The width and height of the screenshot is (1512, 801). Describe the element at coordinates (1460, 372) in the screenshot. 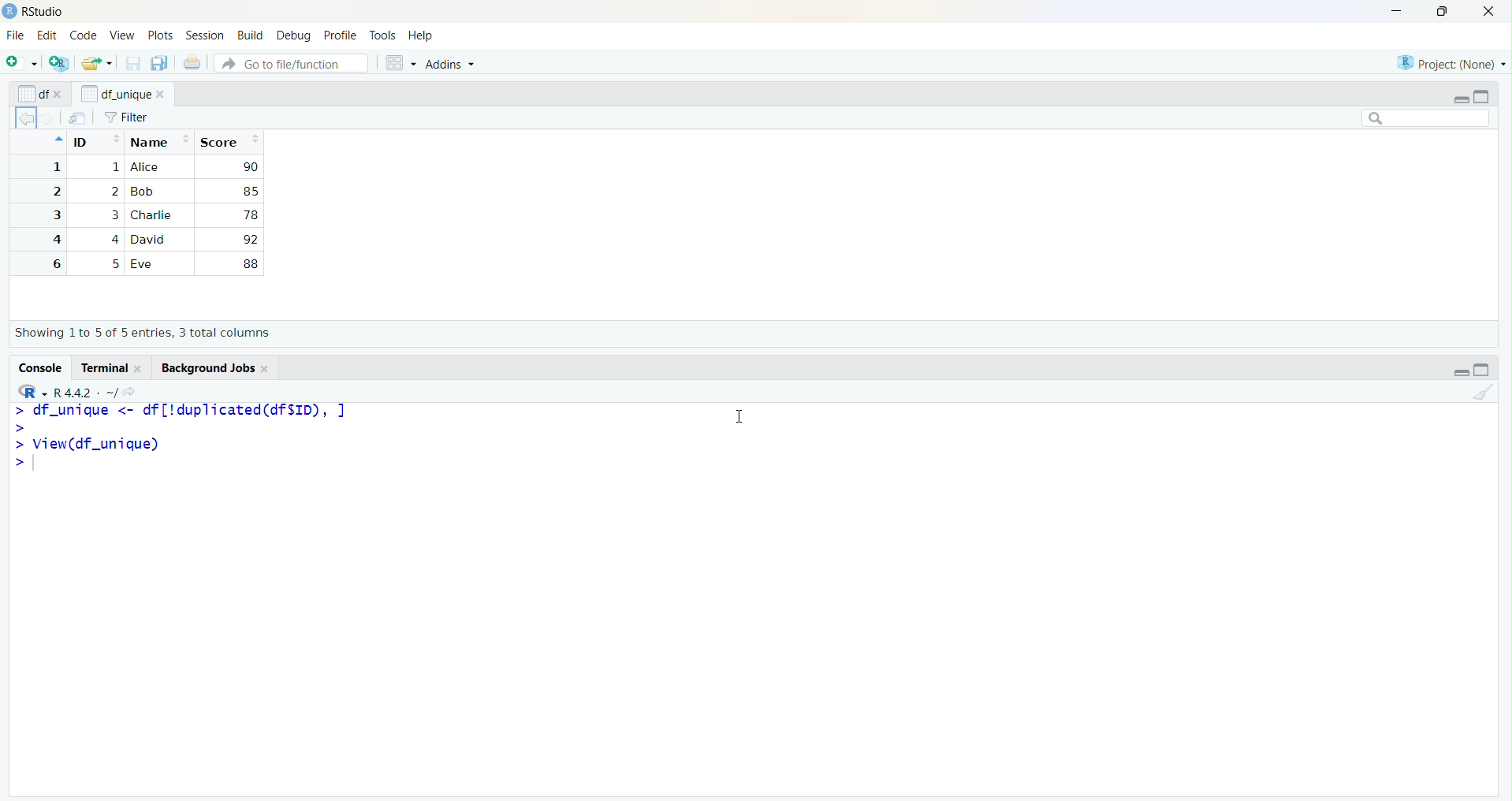

I see `minimize` at that location.